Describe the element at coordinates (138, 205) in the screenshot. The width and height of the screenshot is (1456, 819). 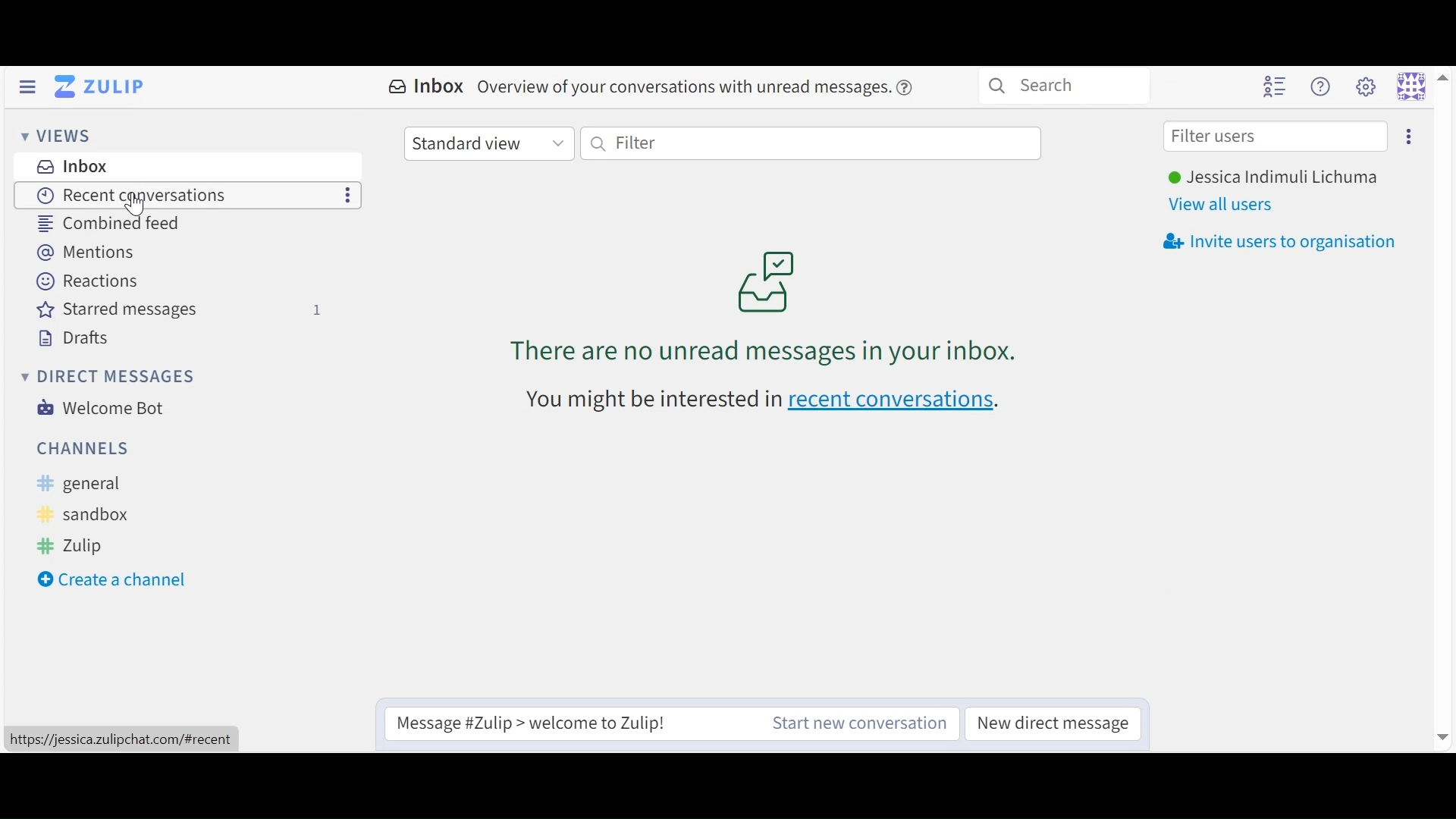
I see `Cursor` at that location.